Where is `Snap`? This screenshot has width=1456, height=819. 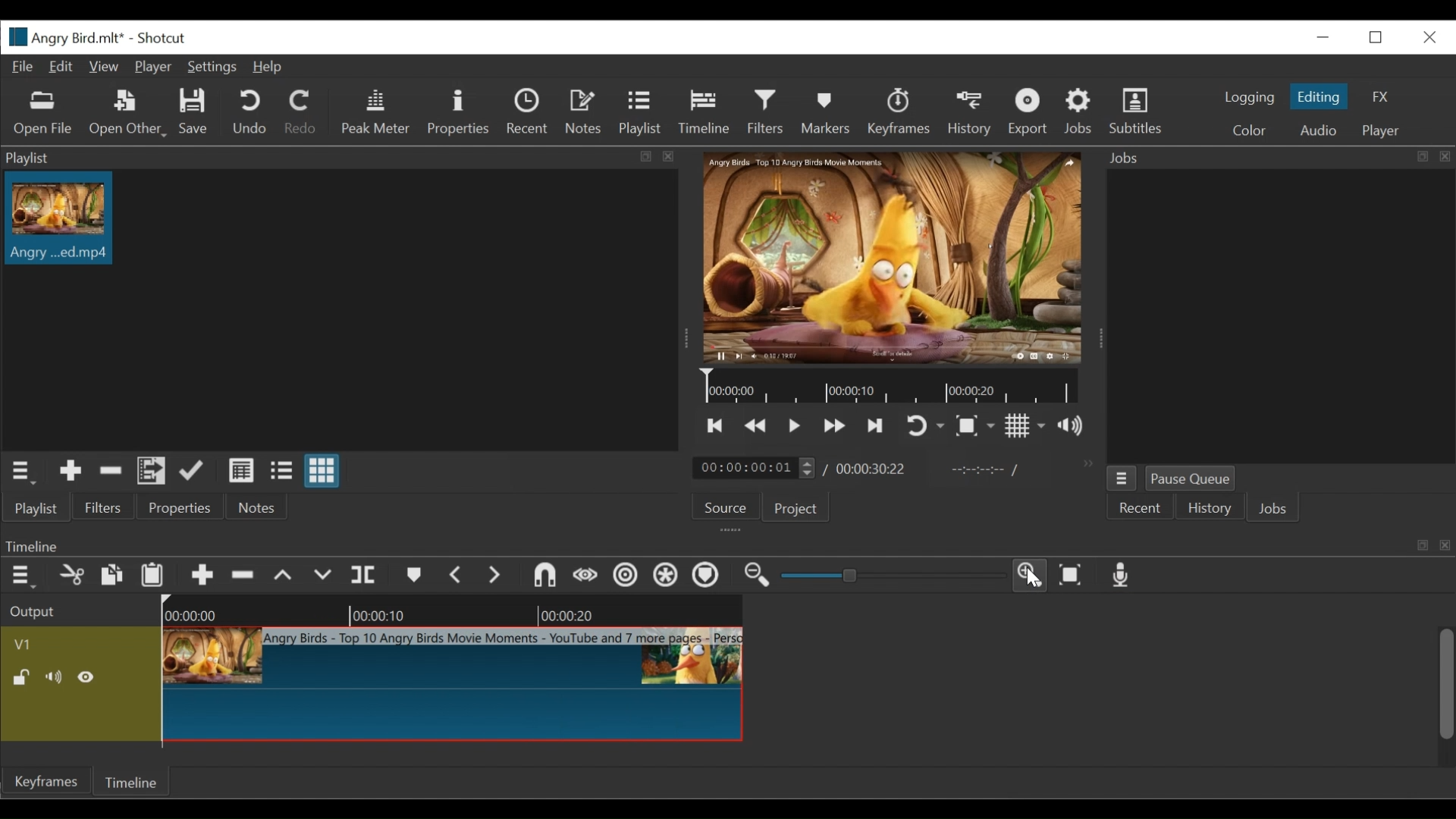
Snap is located at coordinates (541, 576).